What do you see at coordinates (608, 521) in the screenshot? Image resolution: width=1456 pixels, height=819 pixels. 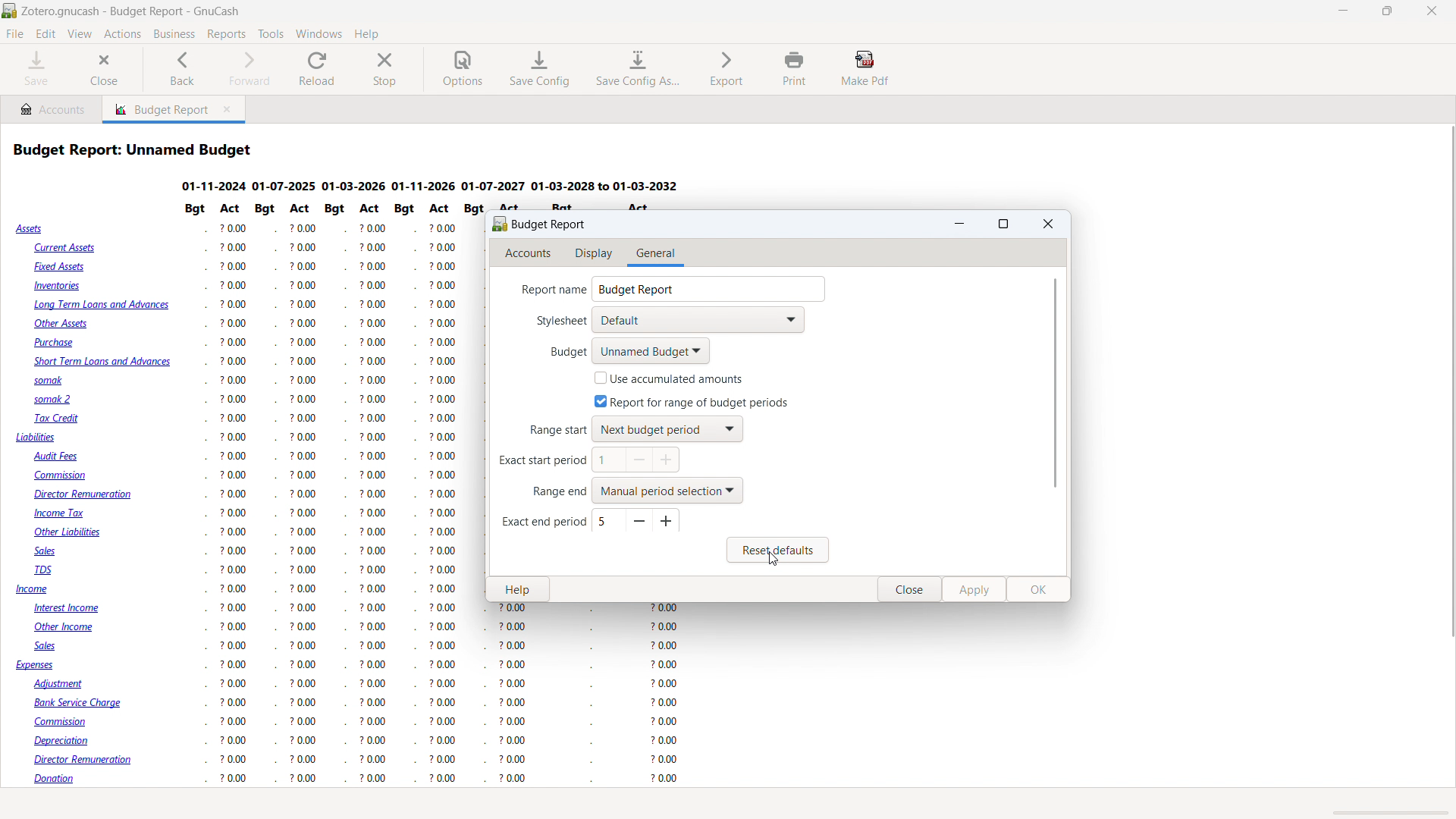 I see `exact end period` at bounding box center [608, 521].